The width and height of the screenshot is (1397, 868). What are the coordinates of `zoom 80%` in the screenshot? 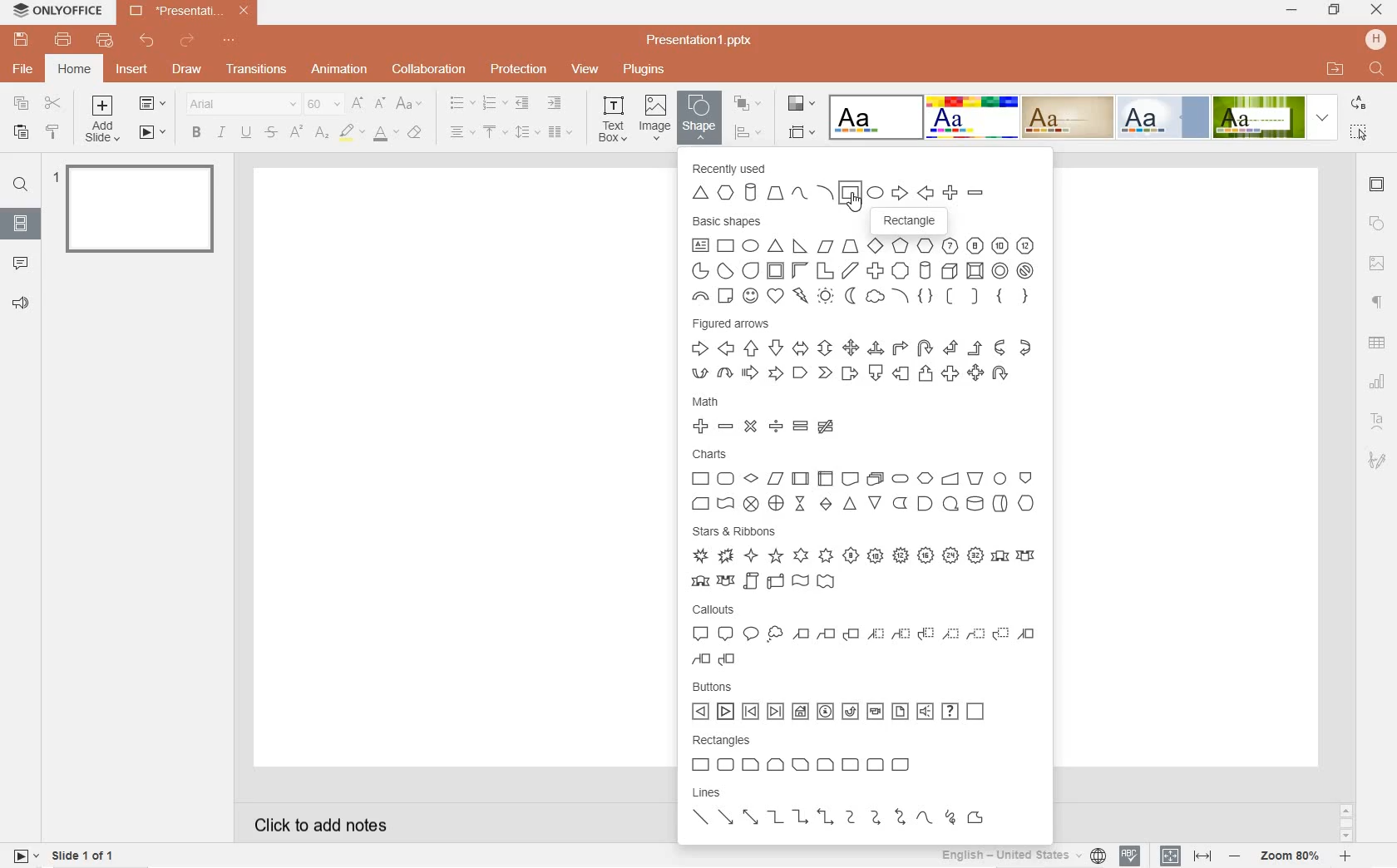 It's located at (1291, 857).